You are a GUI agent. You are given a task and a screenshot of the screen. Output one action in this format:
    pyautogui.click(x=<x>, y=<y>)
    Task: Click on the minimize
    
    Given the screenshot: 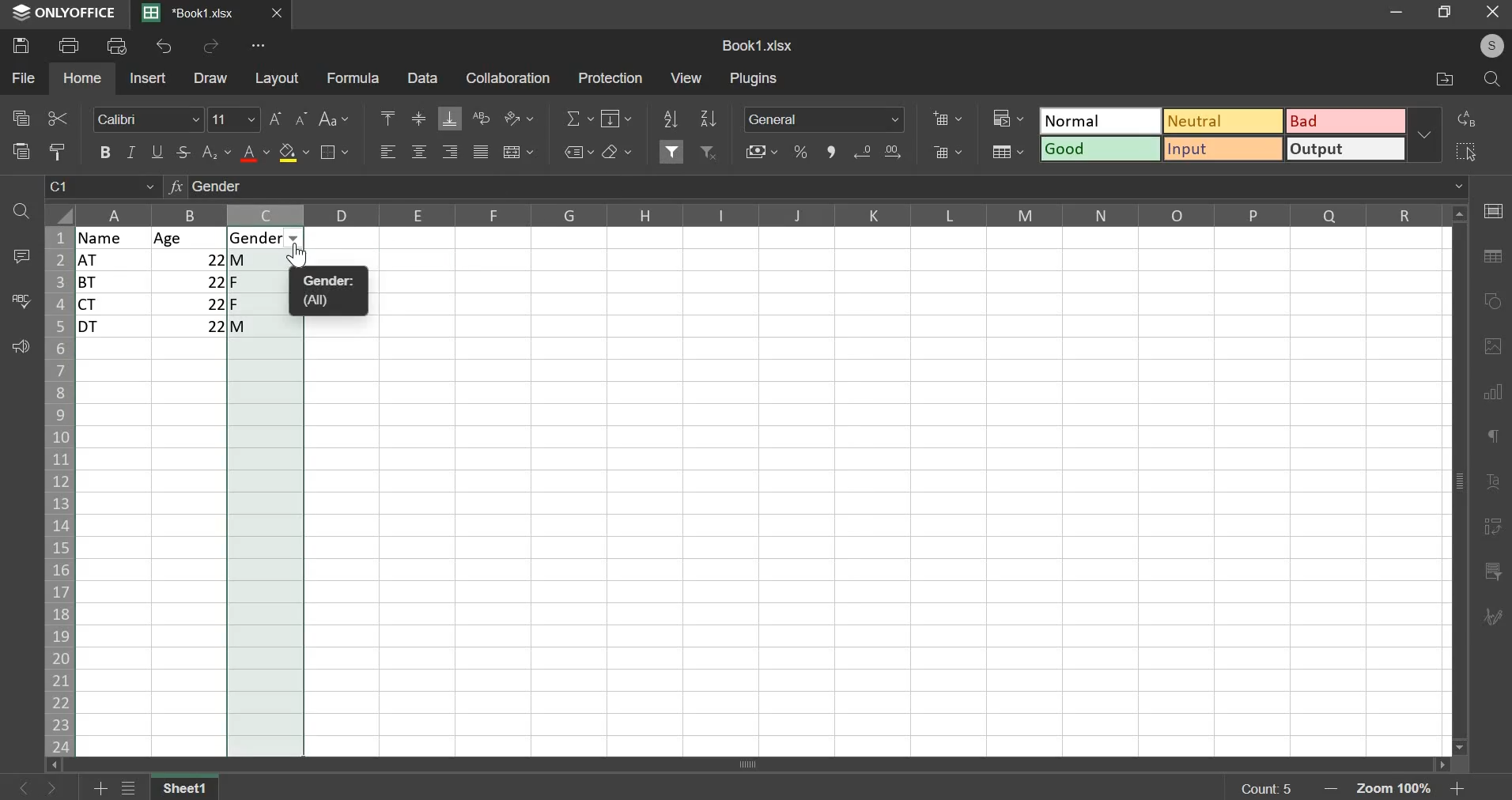 What is the action you would take?
    pyautogui.click(x=1400, y=14)
    